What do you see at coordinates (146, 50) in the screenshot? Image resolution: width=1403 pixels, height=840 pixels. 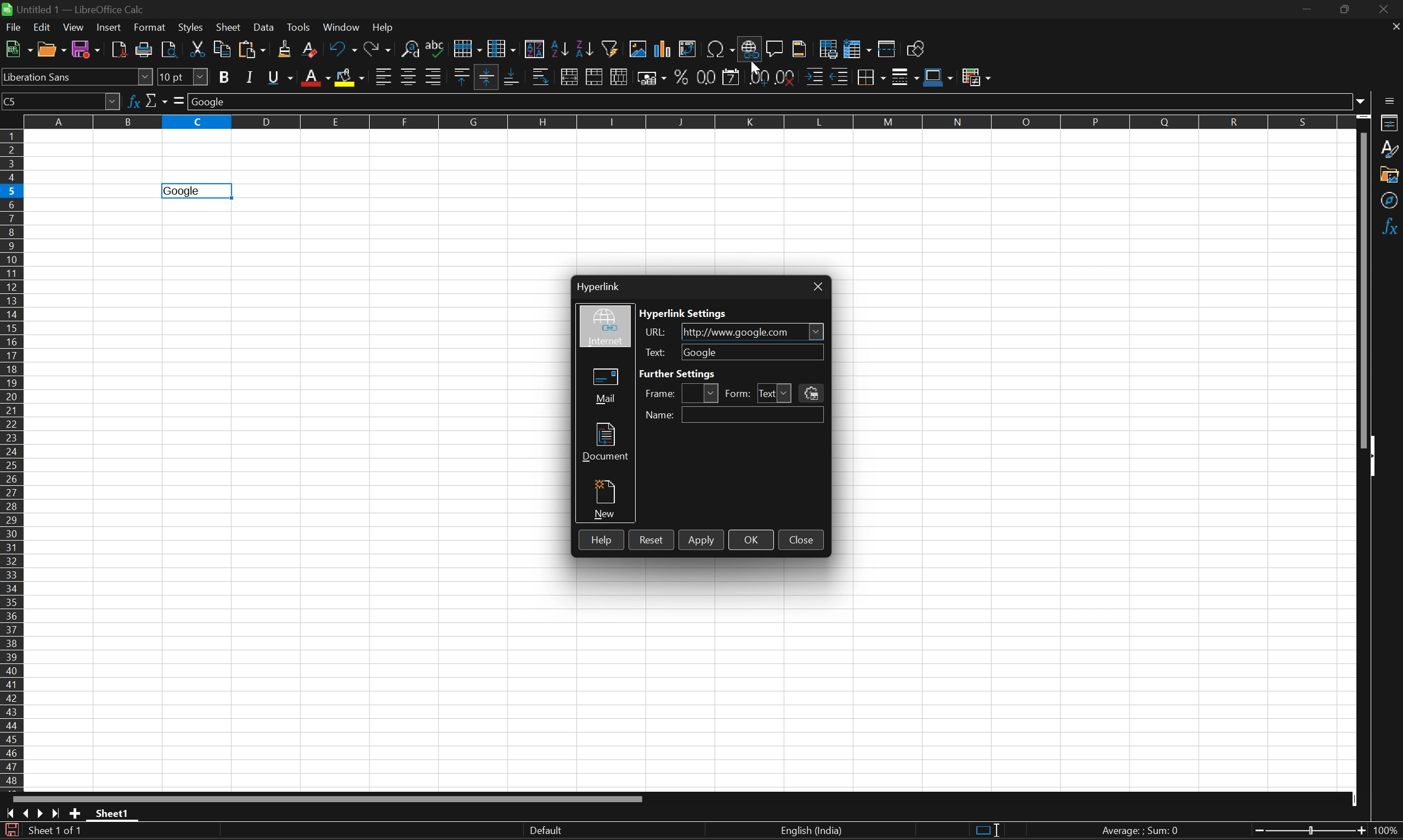 I see `Print` at bounding box center [146, 50].